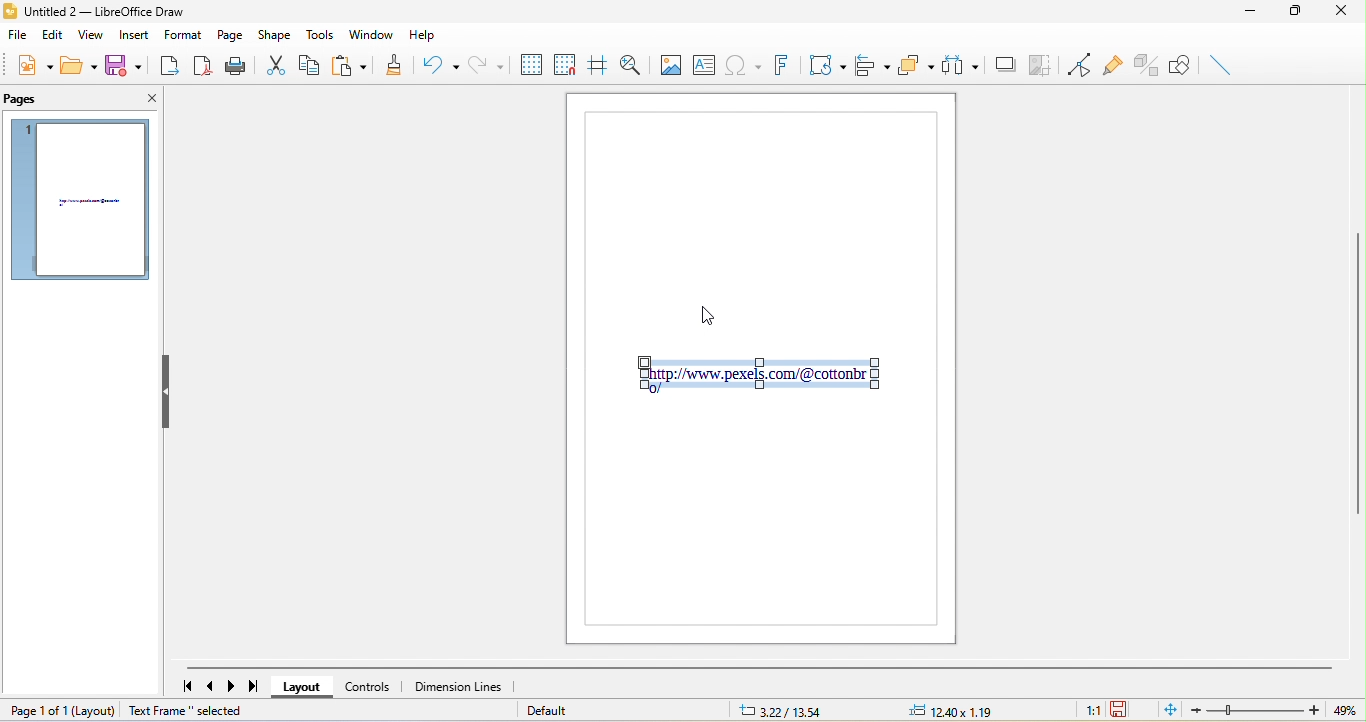 The image size is (1366, 722). What do you see at coordinates (170, 65) in the screenshot?
I see `export` at bounding box center [170, 65].